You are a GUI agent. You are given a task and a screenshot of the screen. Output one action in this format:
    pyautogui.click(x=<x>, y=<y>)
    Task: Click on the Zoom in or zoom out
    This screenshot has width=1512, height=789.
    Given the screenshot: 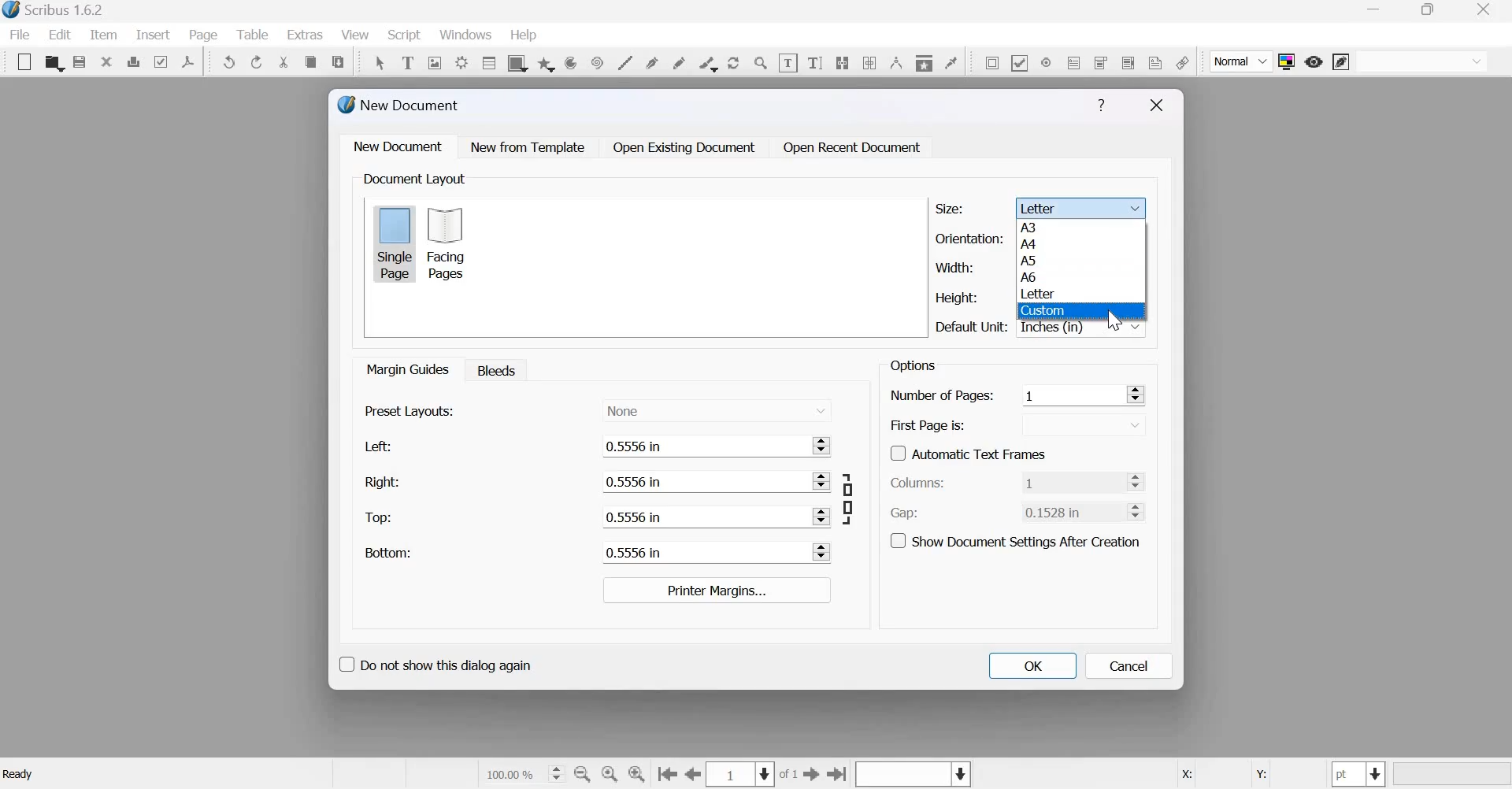 What is the action you would take?
    pyautogui.click(x=761, y=62)
    